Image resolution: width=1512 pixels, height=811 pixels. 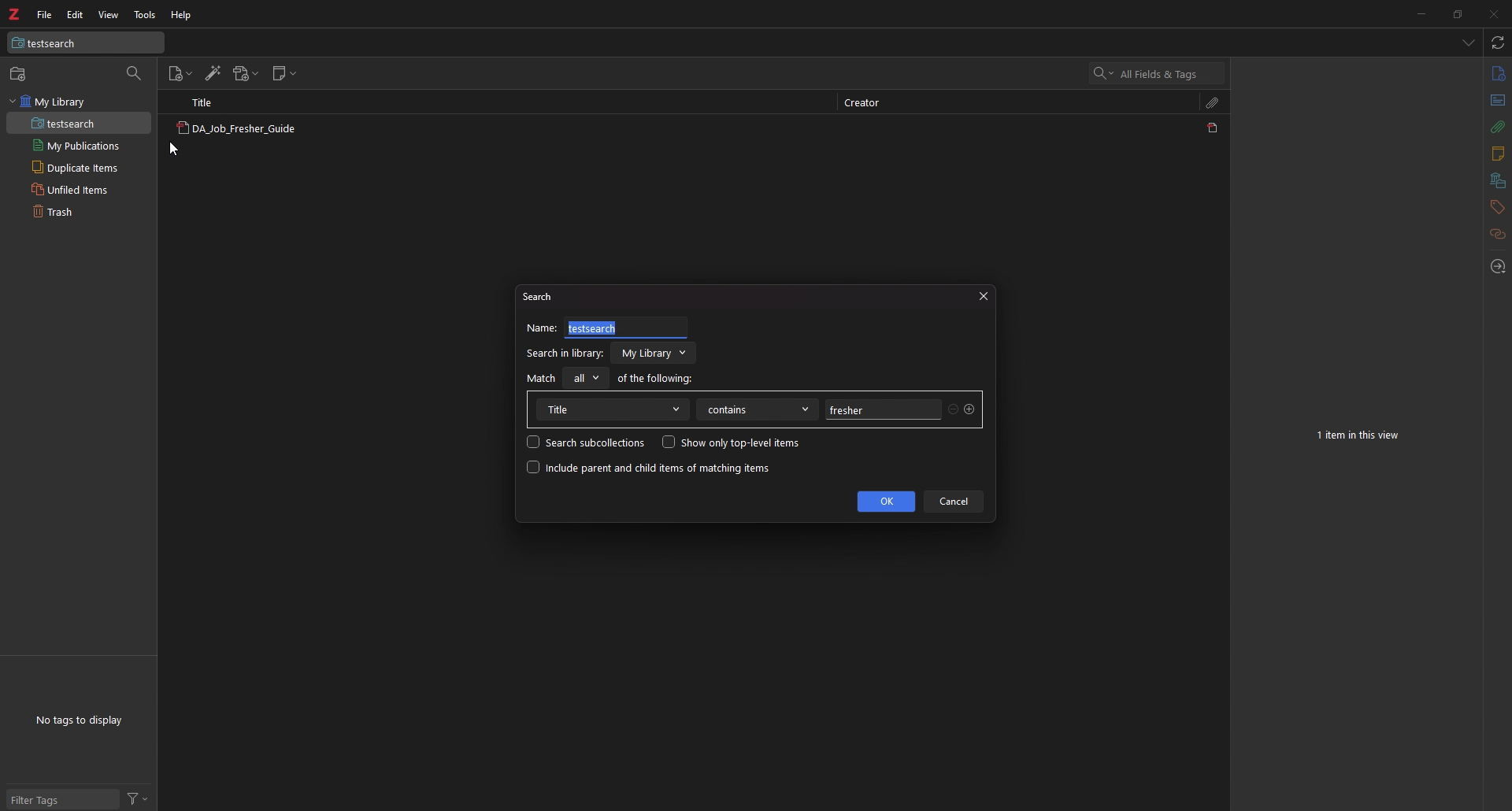 I want to click on 1 item in this view, so click(x=1360, y=435).